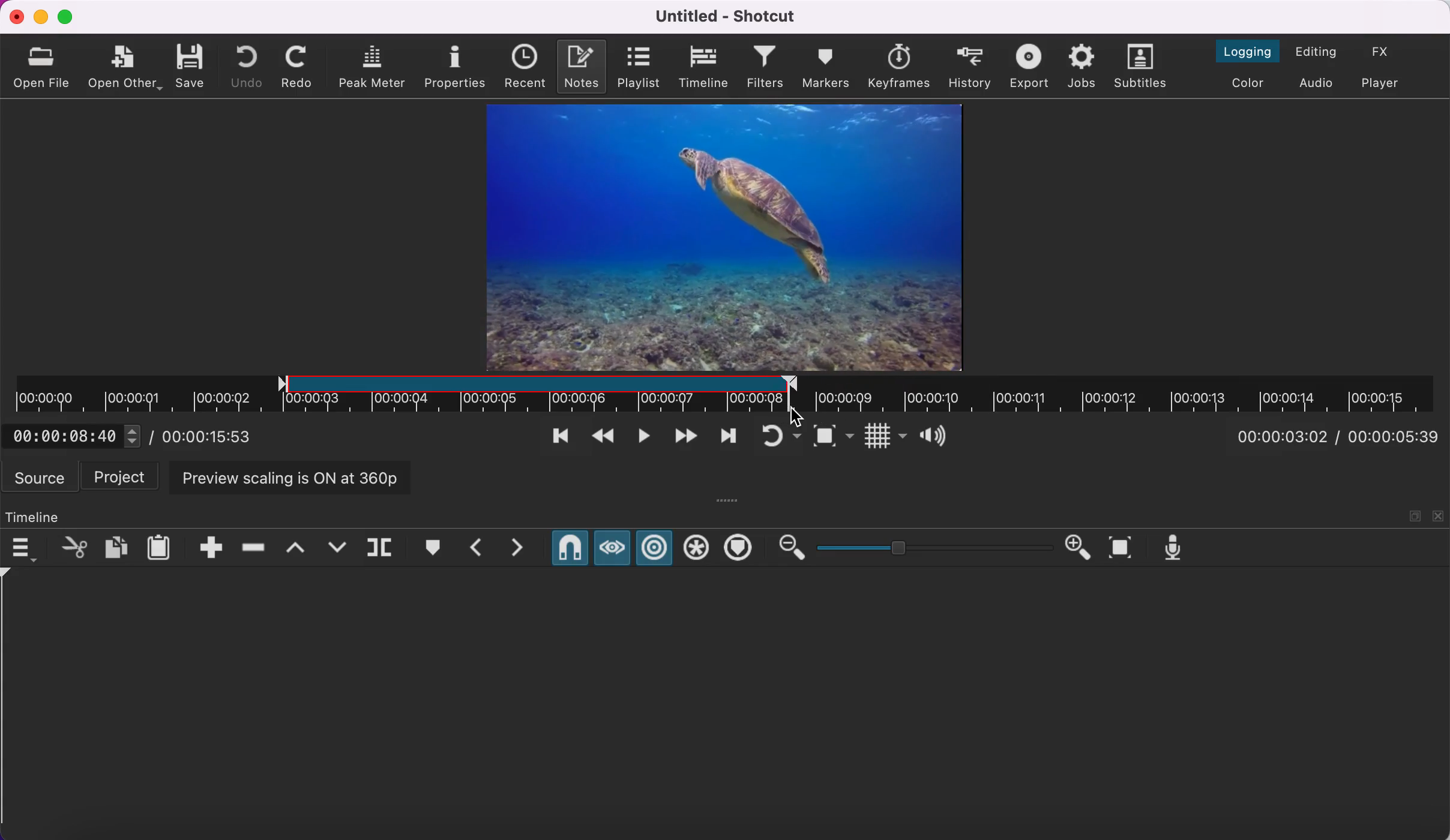 This screenshot has height=840, width=1450. Describe the element at coordinates (25, 546) in the screenshot. I see `timeline menu` at that location.